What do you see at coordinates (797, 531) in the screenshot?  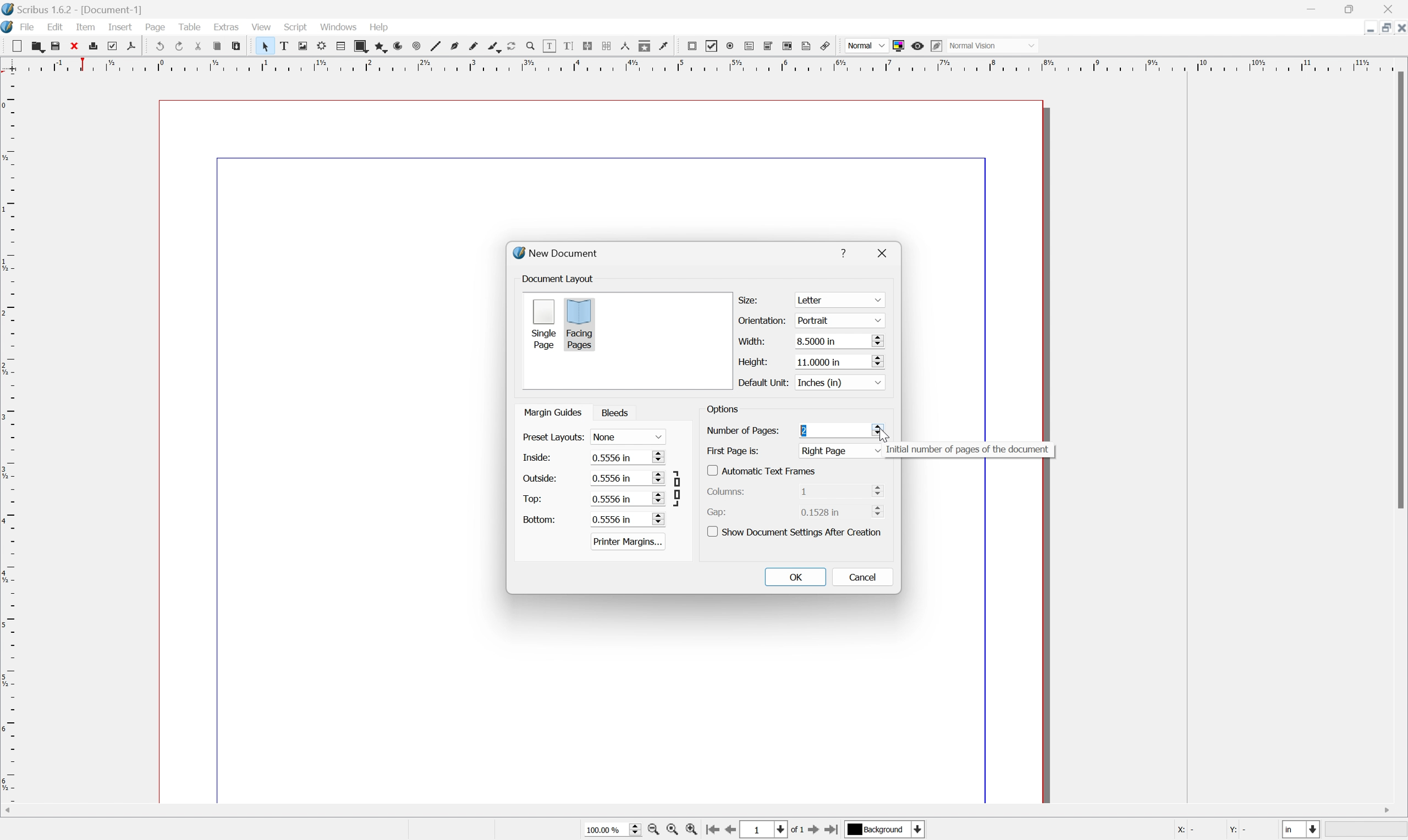 I see `Show document settings after creation` at bounding box center [797, 531].